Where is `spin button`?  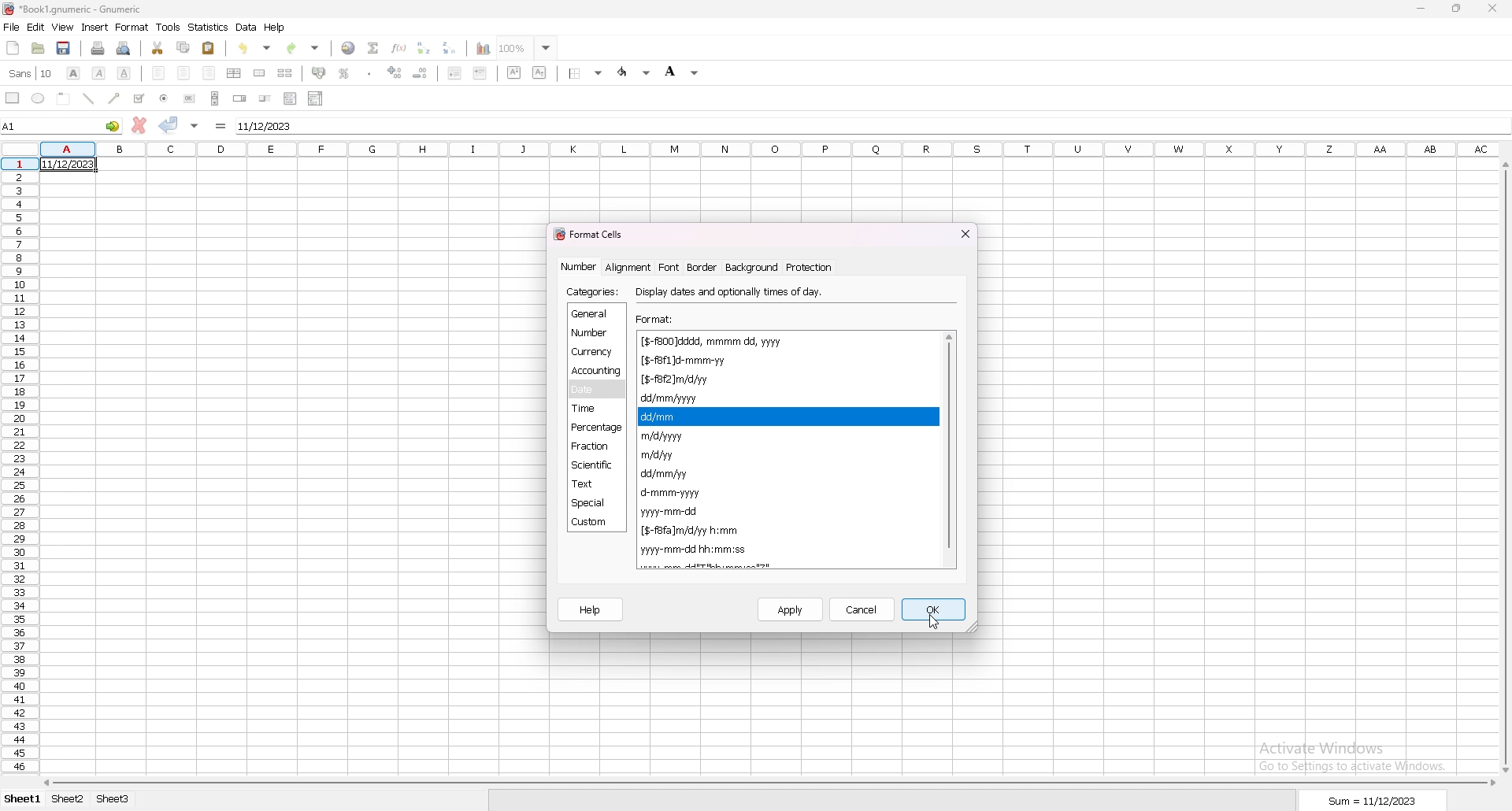 spin button is located at coordinates (241, 98).